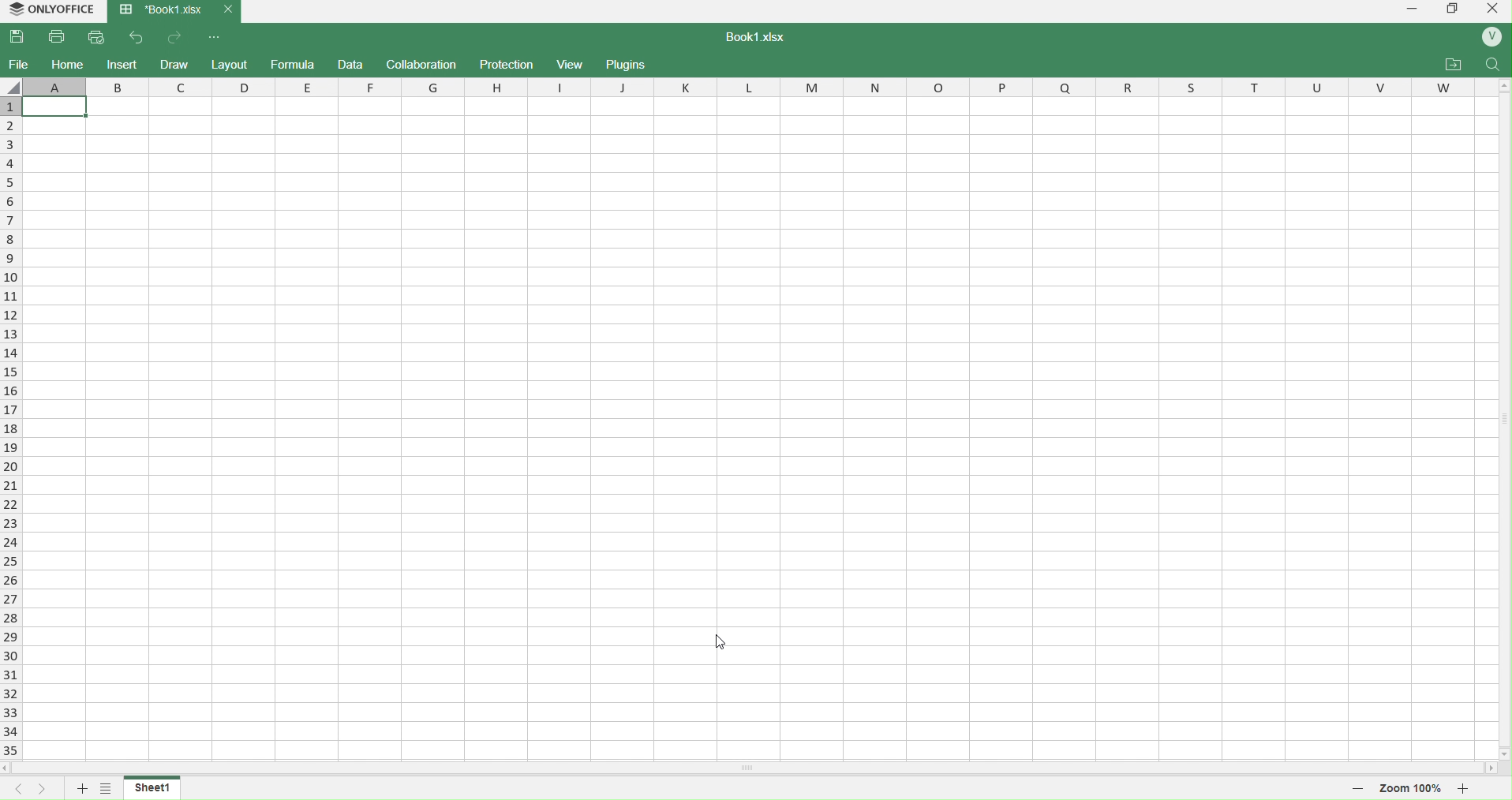 The height and width of the screenshot is (800, 1512). I want to click on move down, so click(1503, 753).